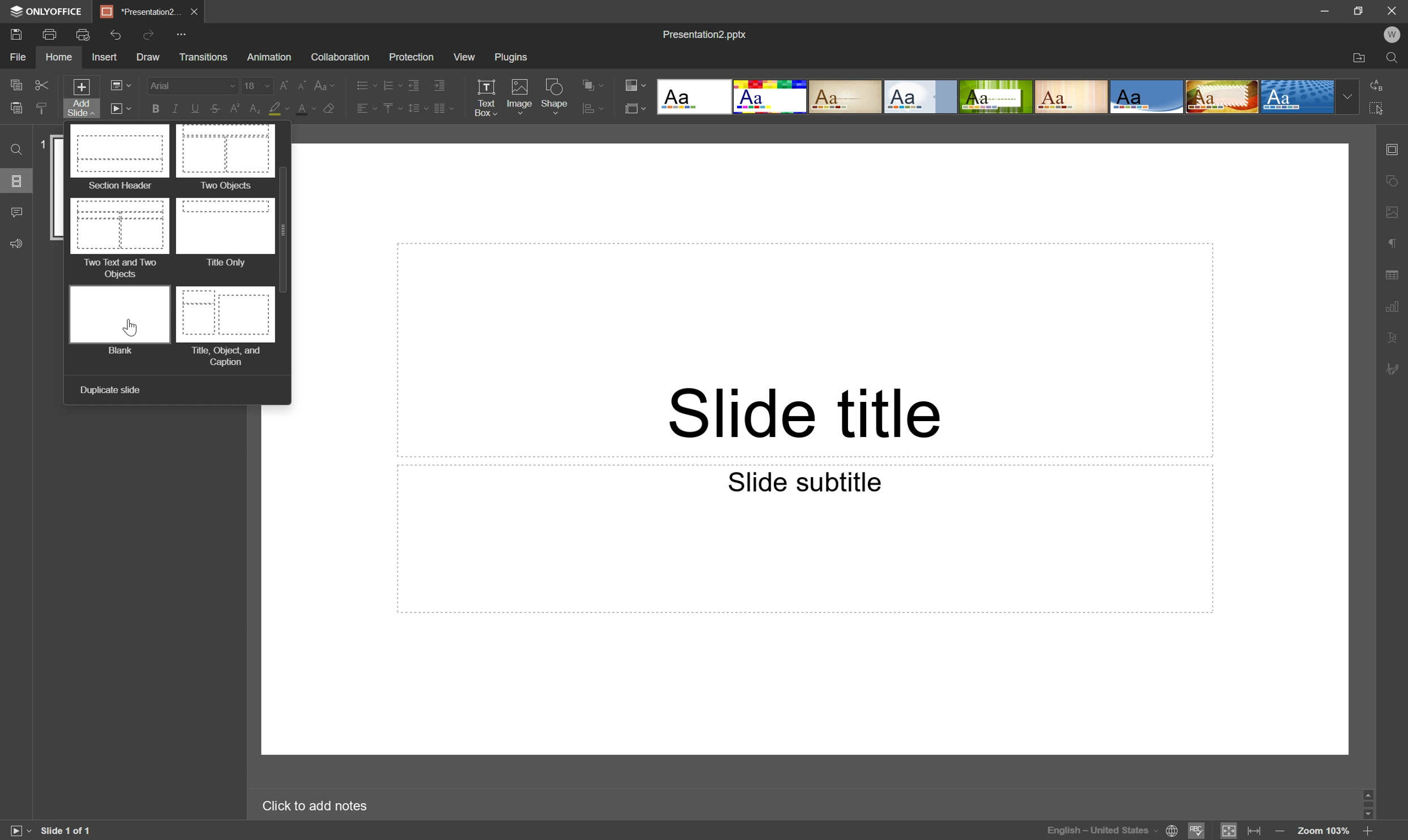 This screenshot has width=1408, height=840. I want to click on Protection, so click(409, 56).